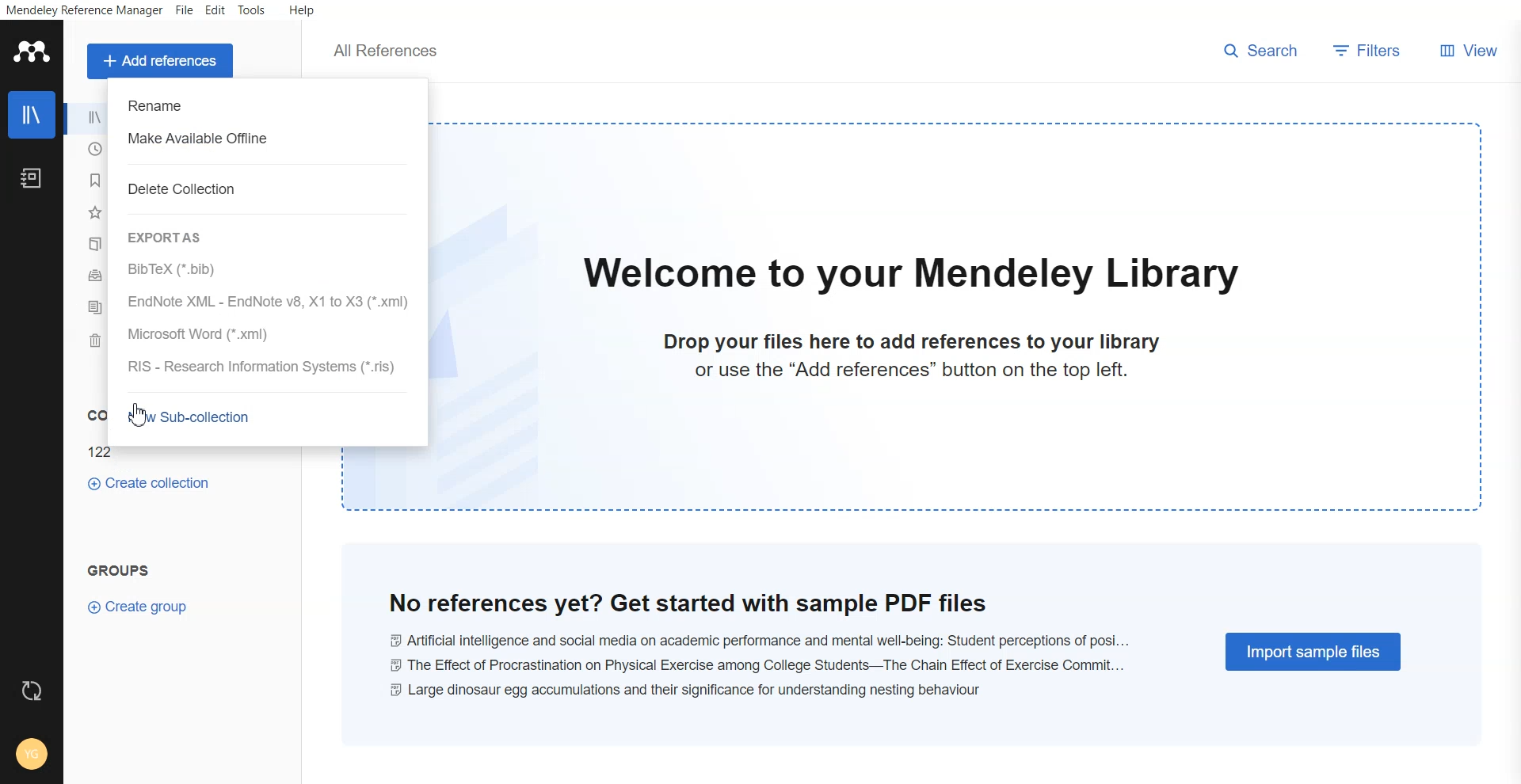 This screenshot has width=1521, height=784. What do you see at coordinates (194, 418) in the screenshot?
I see `New Sub-collection` at bounding box center [194, 418].